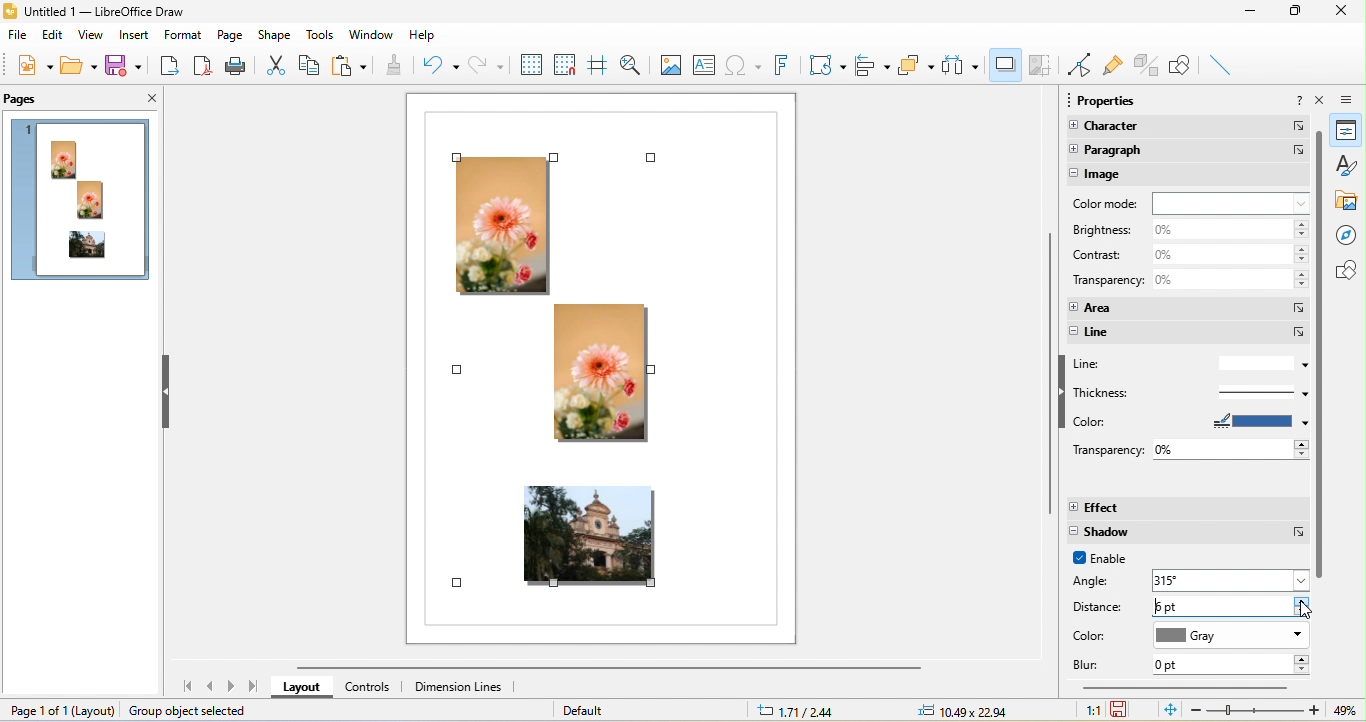 The width and height of the screenshot is (1366, 722). Describe the element at coordinates (1299, 101) in the screenshot. I see `help` at that location.